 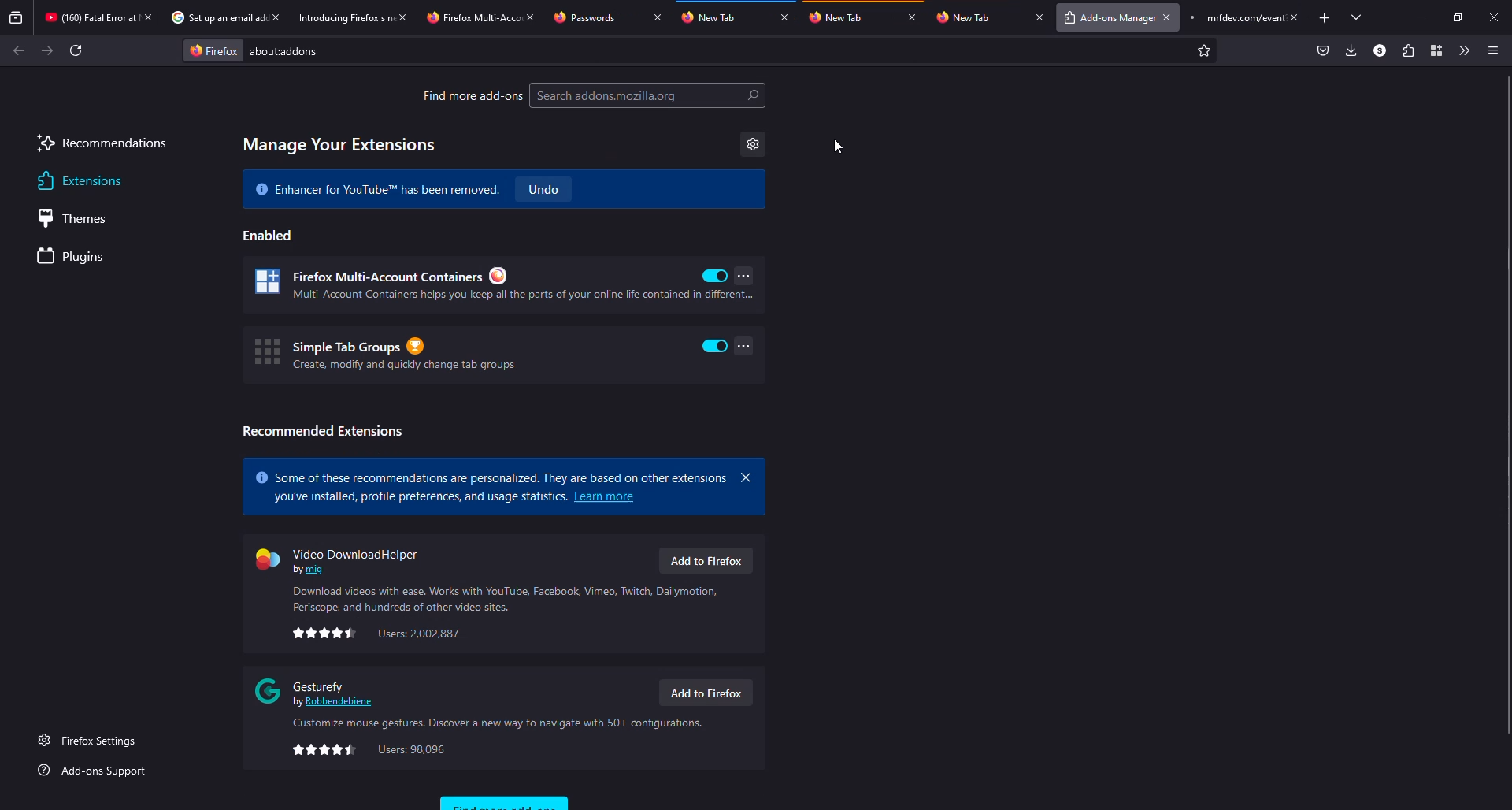 I want to click on close, so click(x=531, y=17).